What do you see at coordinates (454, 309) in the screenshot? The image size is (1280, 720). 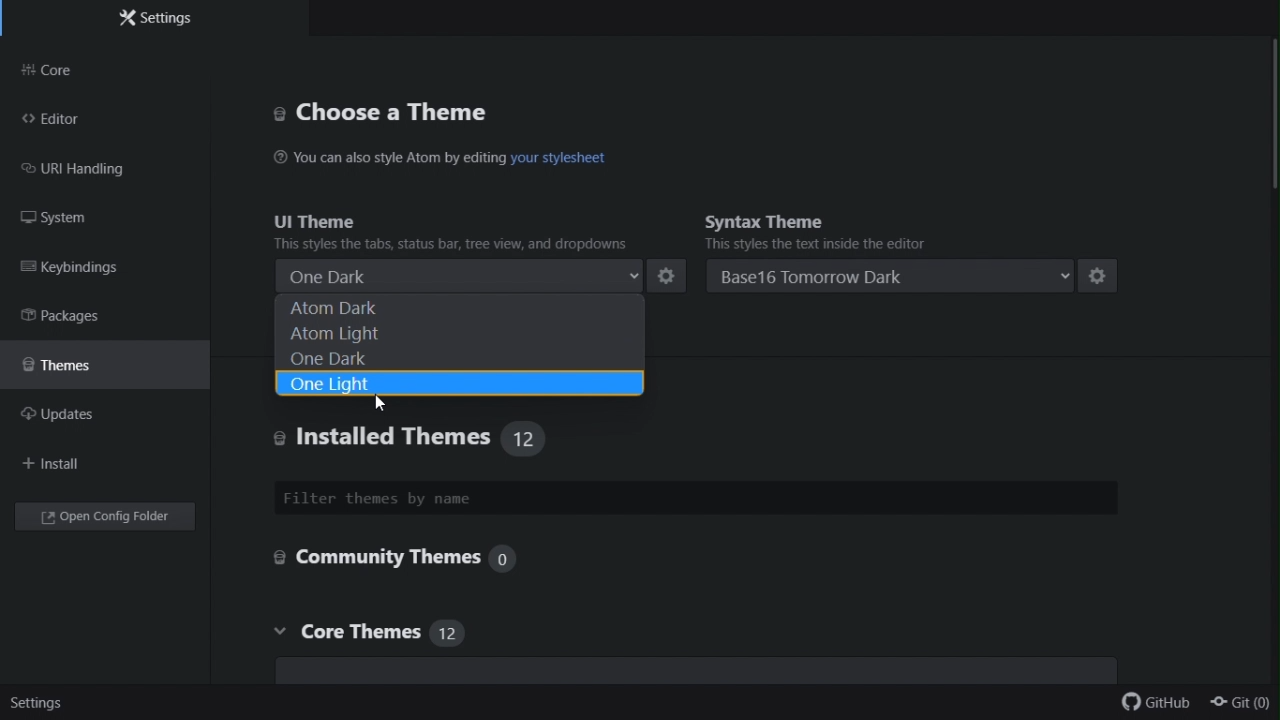 I see `atom dark` at bounding box center [454, 309].